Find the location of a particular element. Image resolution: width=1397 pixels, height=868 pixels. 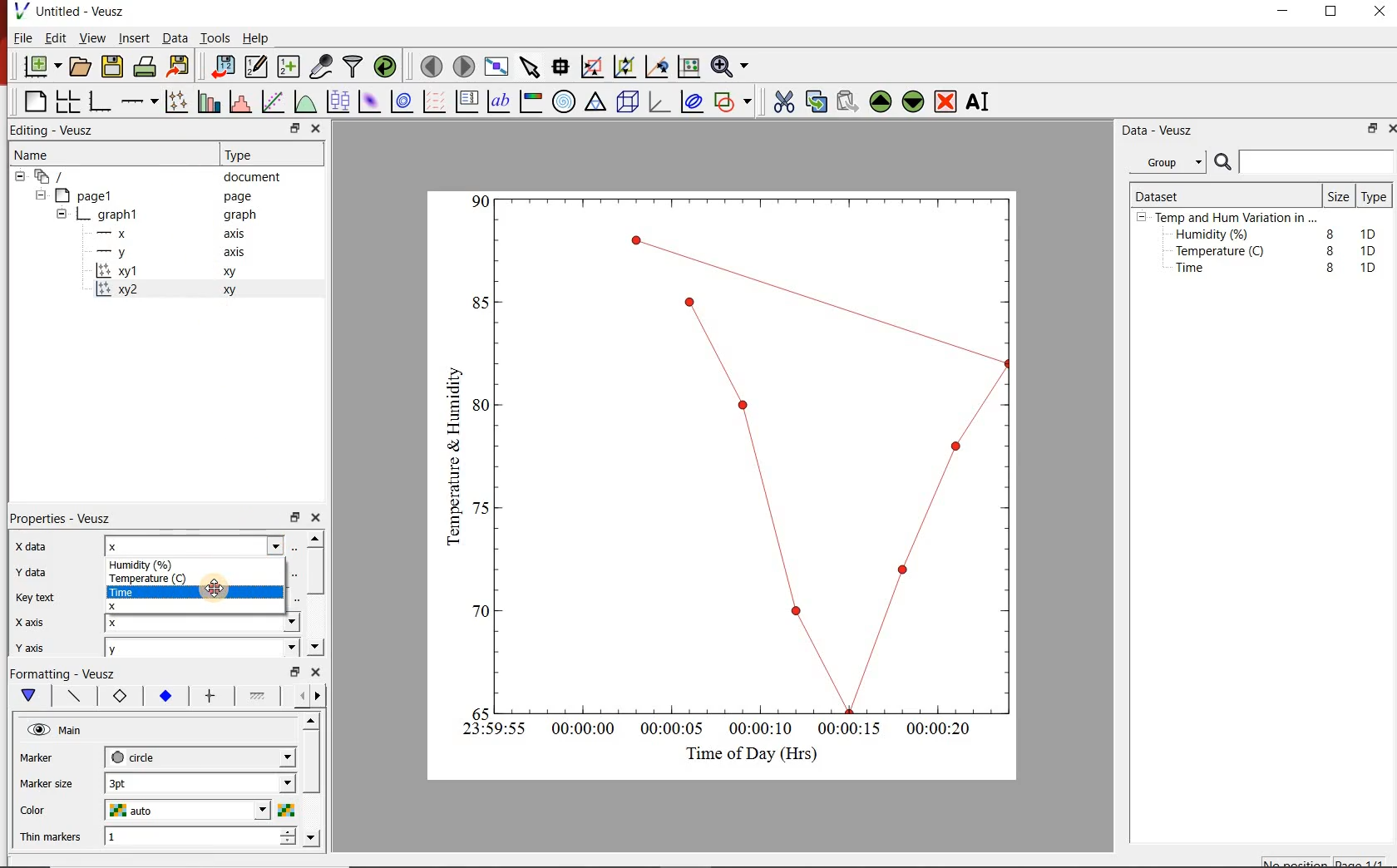

Graph is located at coordinates (758, 451).